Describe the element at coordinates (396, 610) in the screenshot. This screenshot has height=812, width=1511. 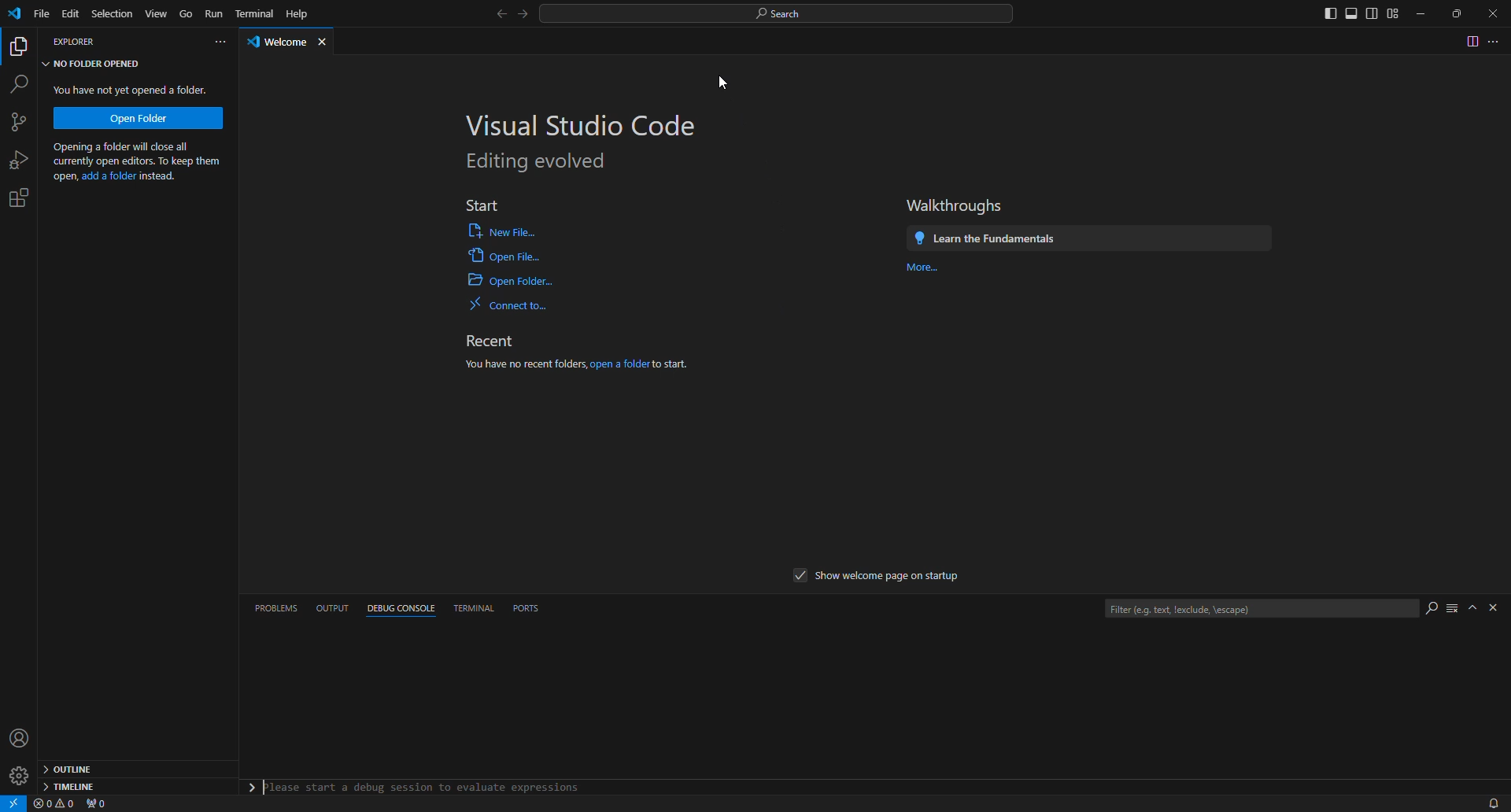
I see `debug console` at that location.